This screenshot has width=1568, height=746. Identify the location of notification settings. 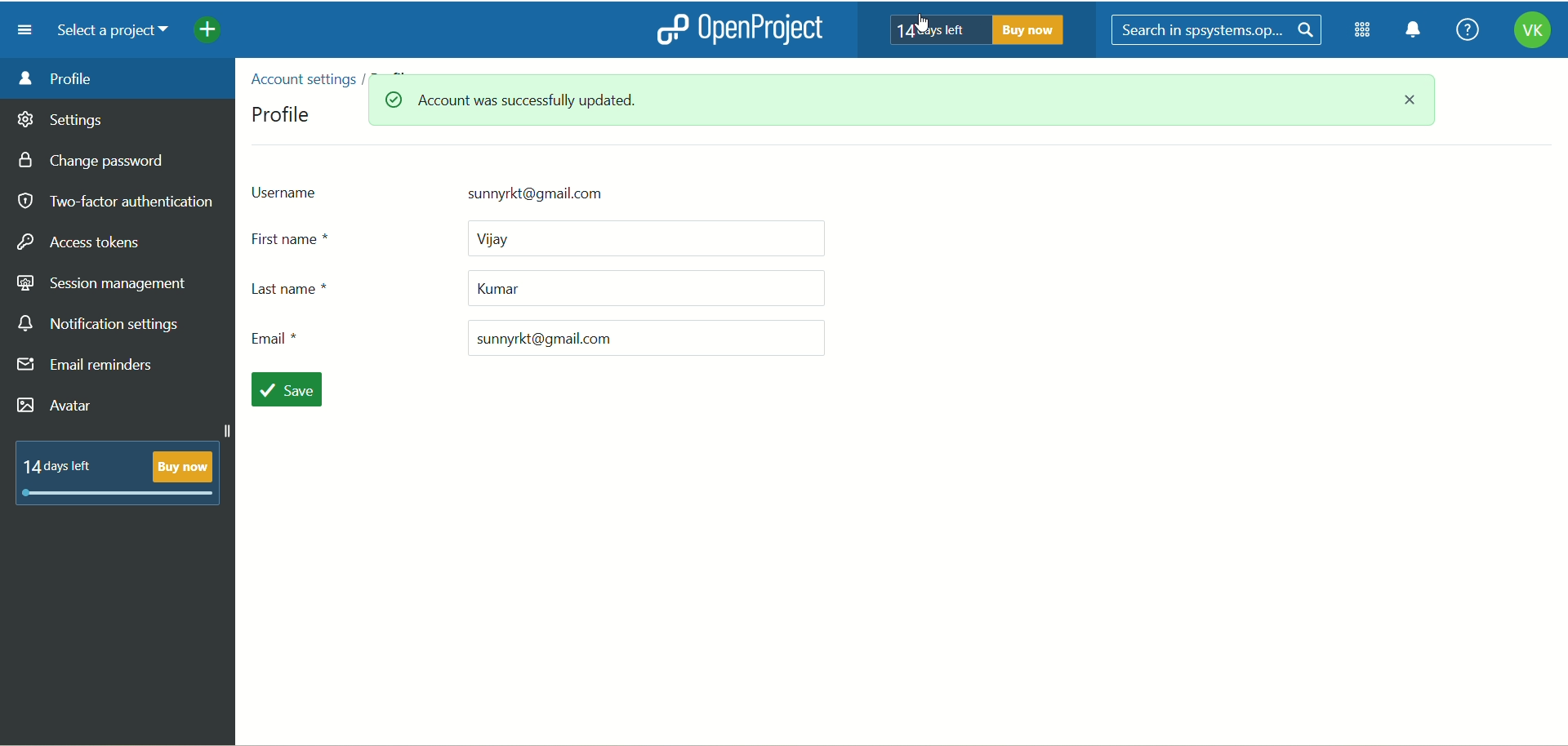
(100, 325).